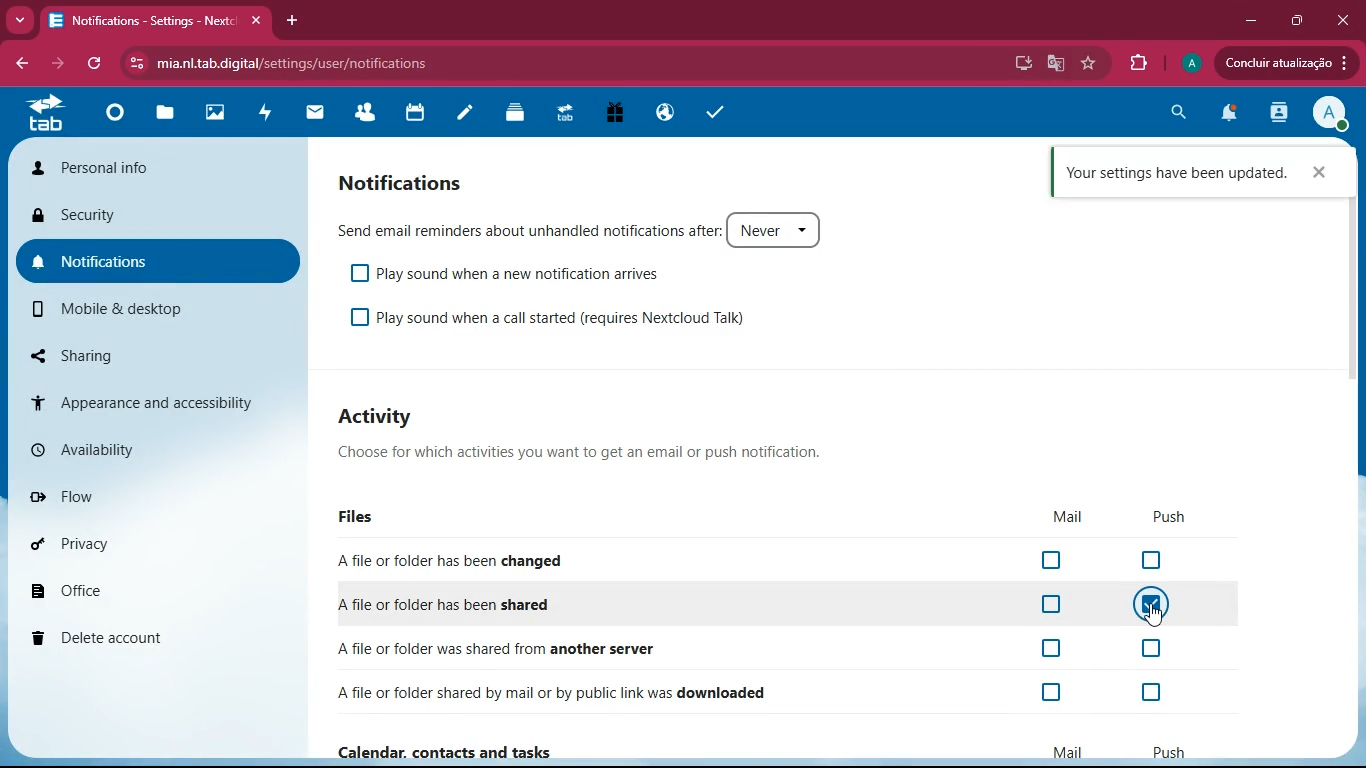  Describe the element at coordinates (511, 112) in the screenshot. I see `layers` at that location.